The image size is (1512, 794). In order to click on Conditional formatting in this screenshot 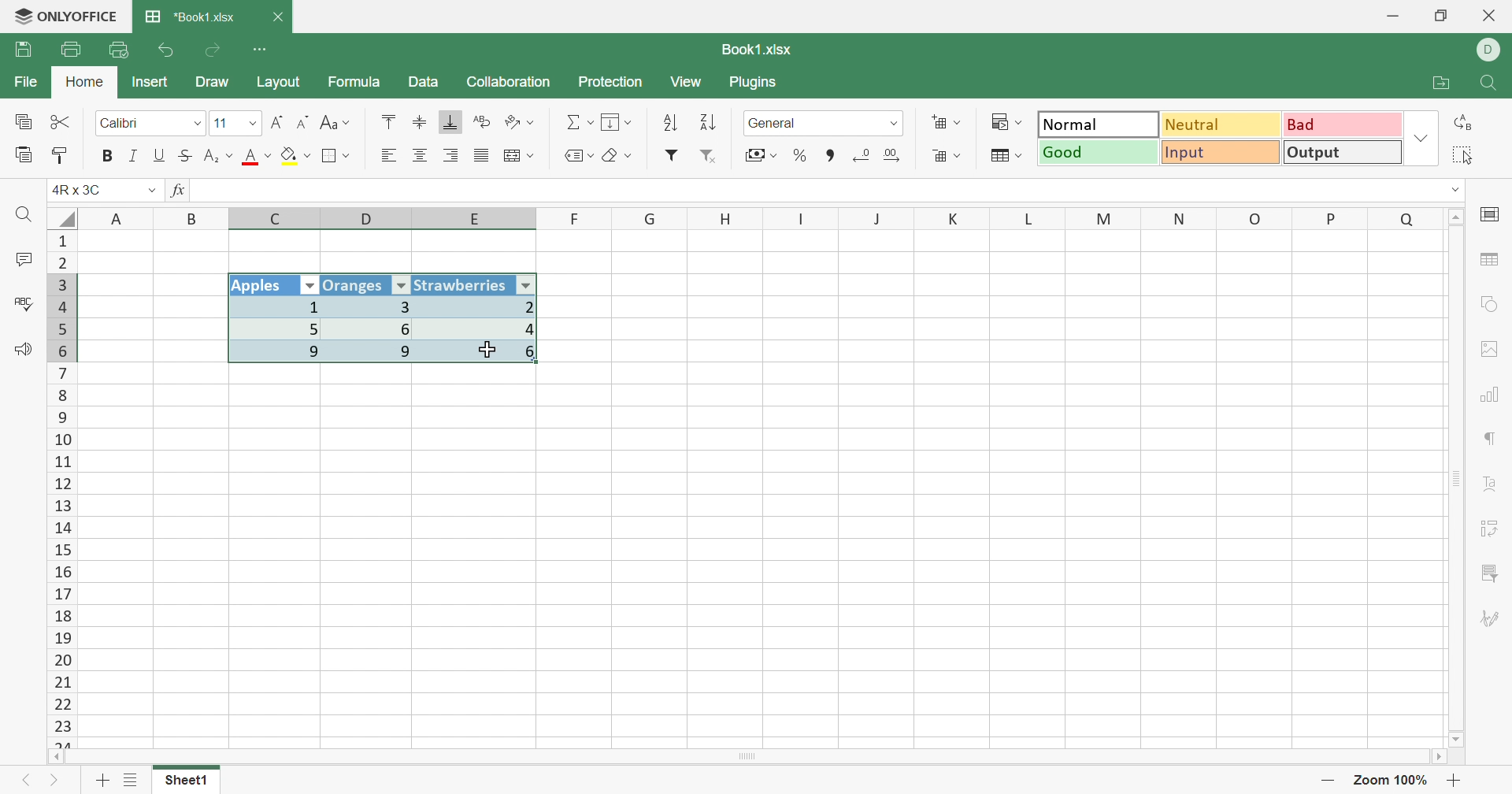, I will do `click(1010, 122)`.